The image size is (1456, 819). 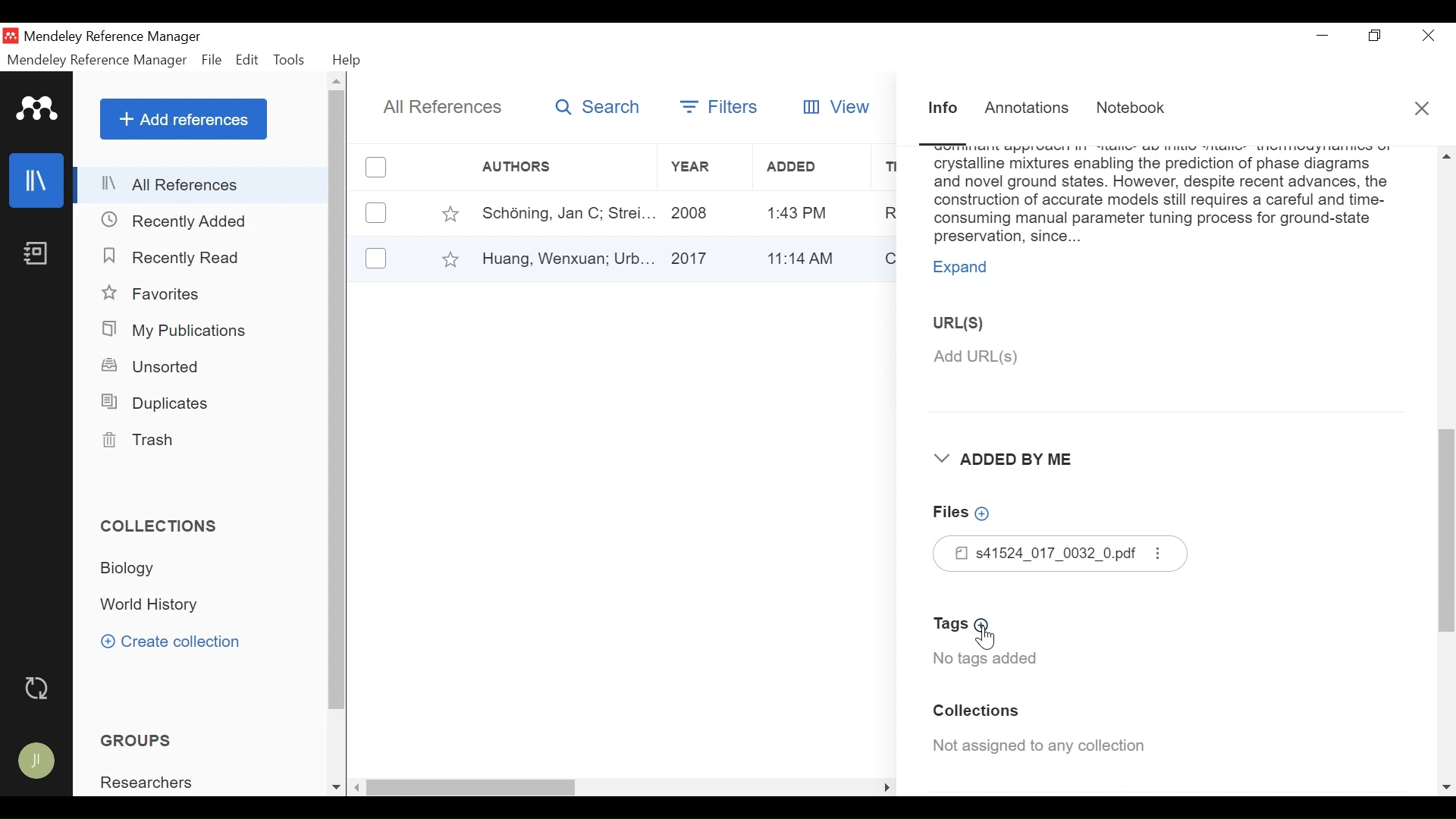 What do you see at coordinates (39, 690) in the screenshot?
I see `Sync` at bounding box center [39, 690].